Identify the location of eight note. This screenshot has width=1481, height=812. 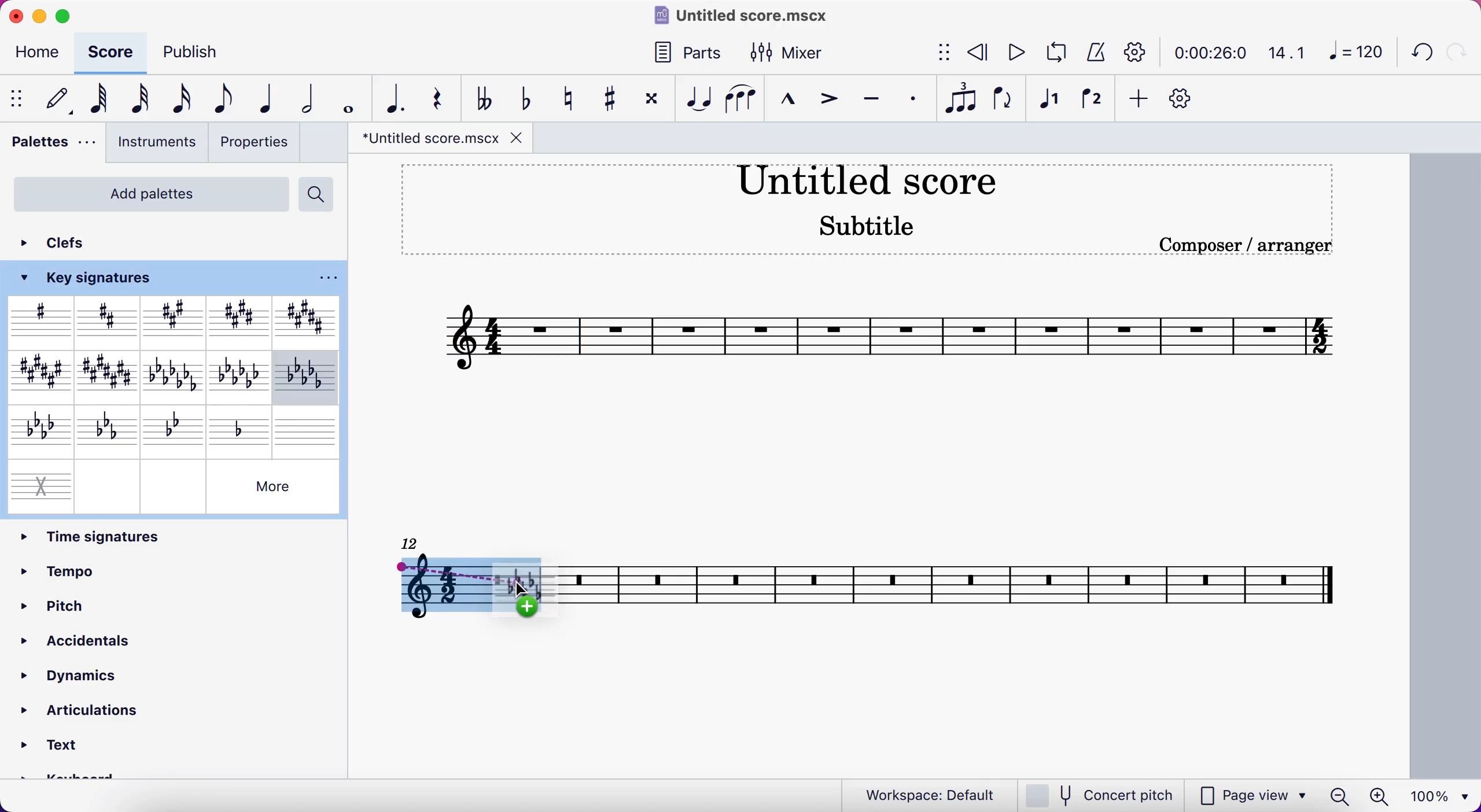
(227, 97).